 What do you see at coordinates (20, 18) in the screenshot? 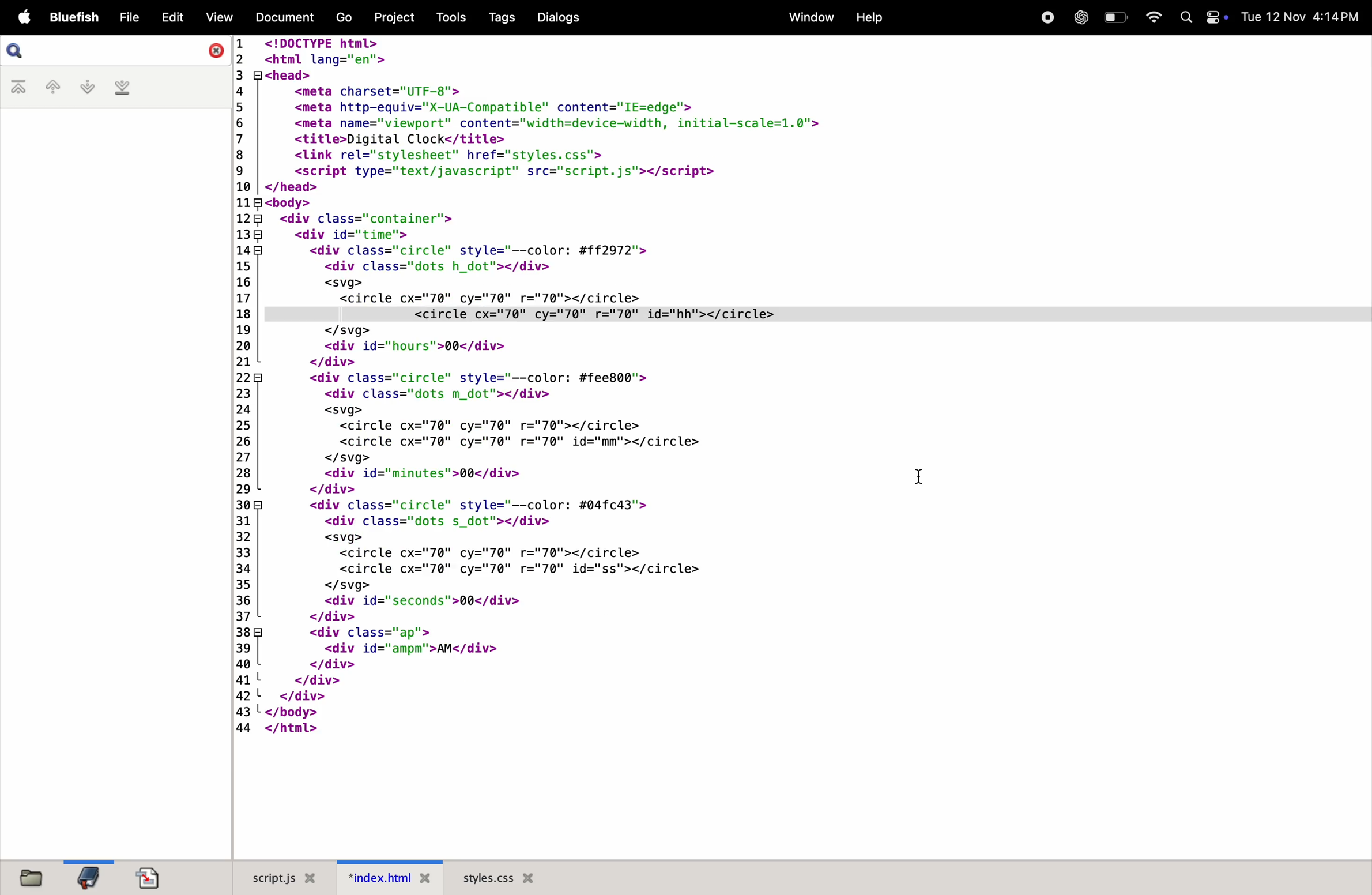
I see `apple menu` at bounding box center [20, 18].